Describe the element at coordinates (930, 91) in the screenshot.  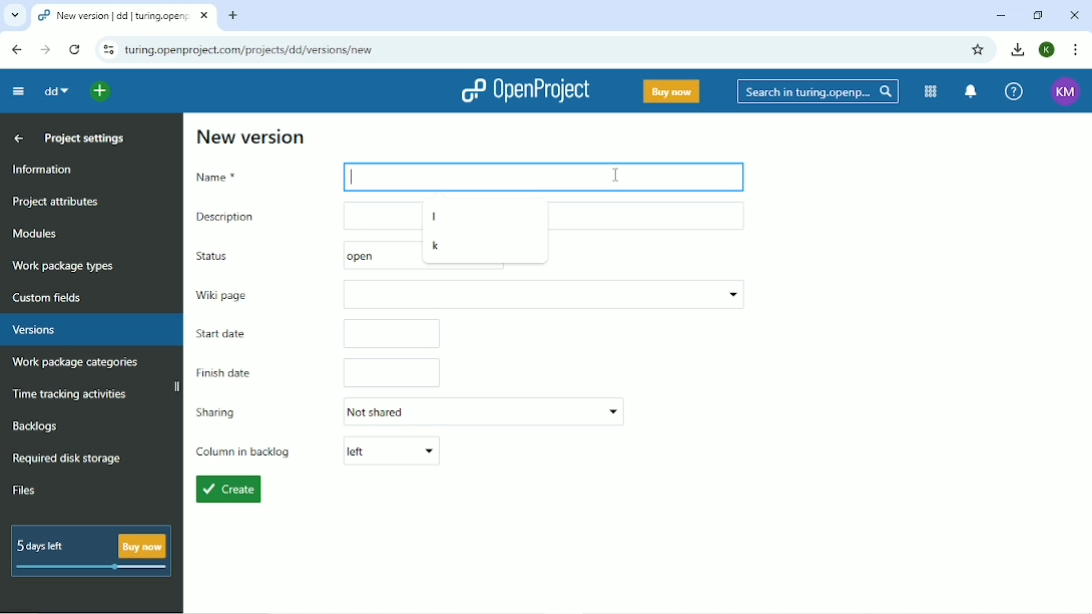
I see `Modules` at that location.